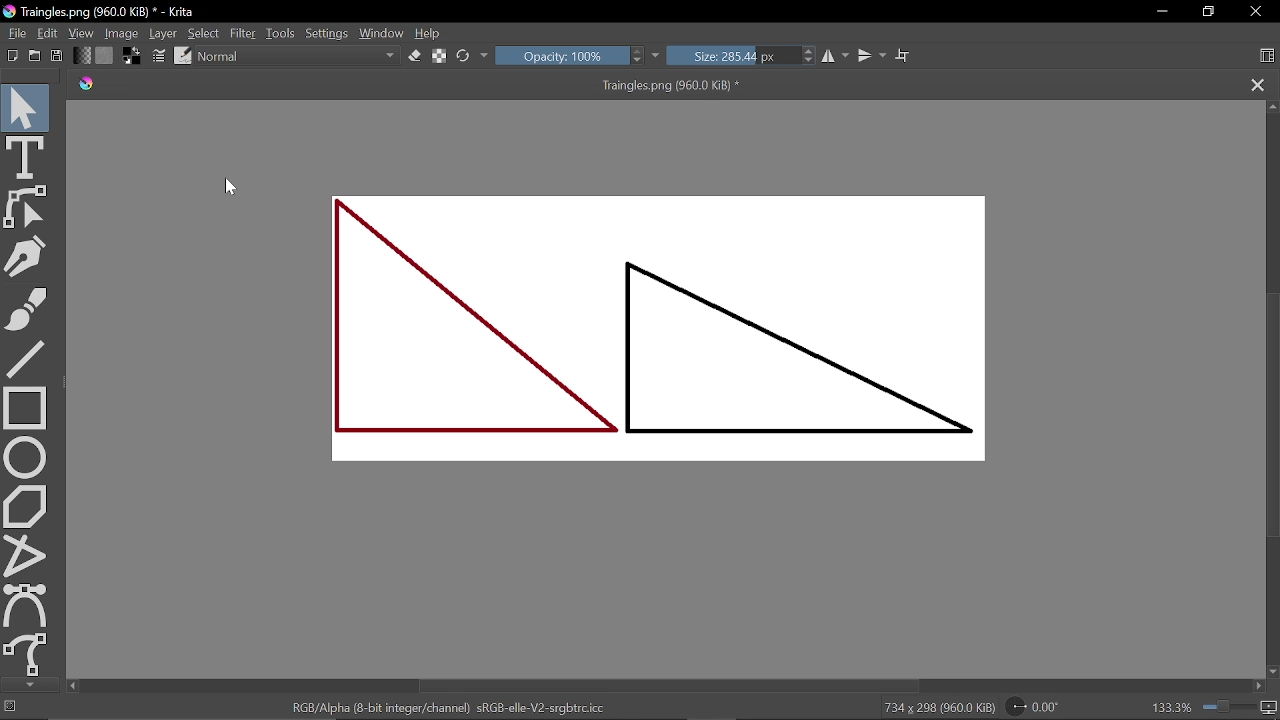 The image size is (1280, 720). I want to click on Freehand curve tool, so click(28, 654).